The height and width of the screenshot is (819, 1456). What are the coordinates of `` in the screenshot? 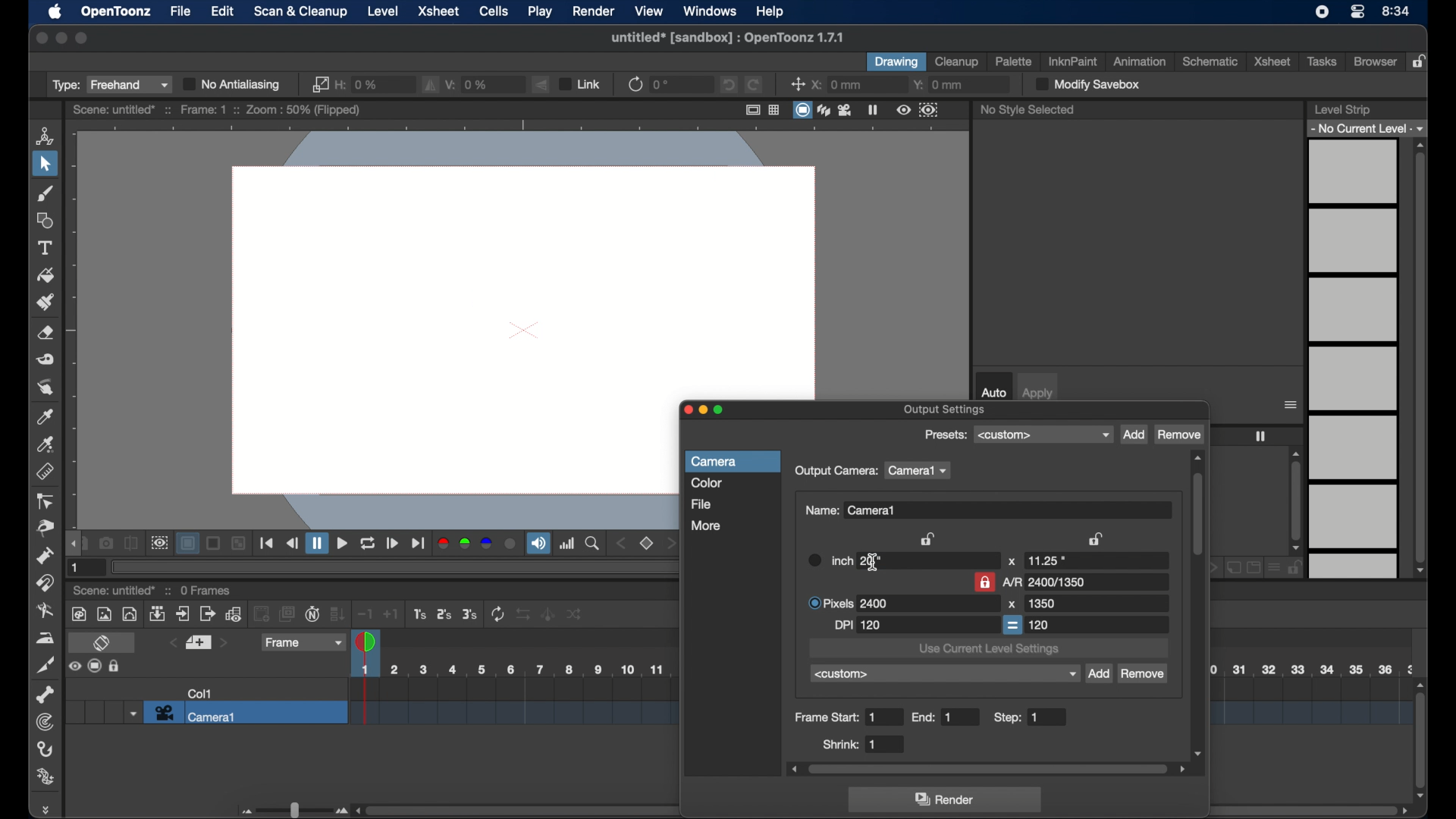 It's located at (132, 614).